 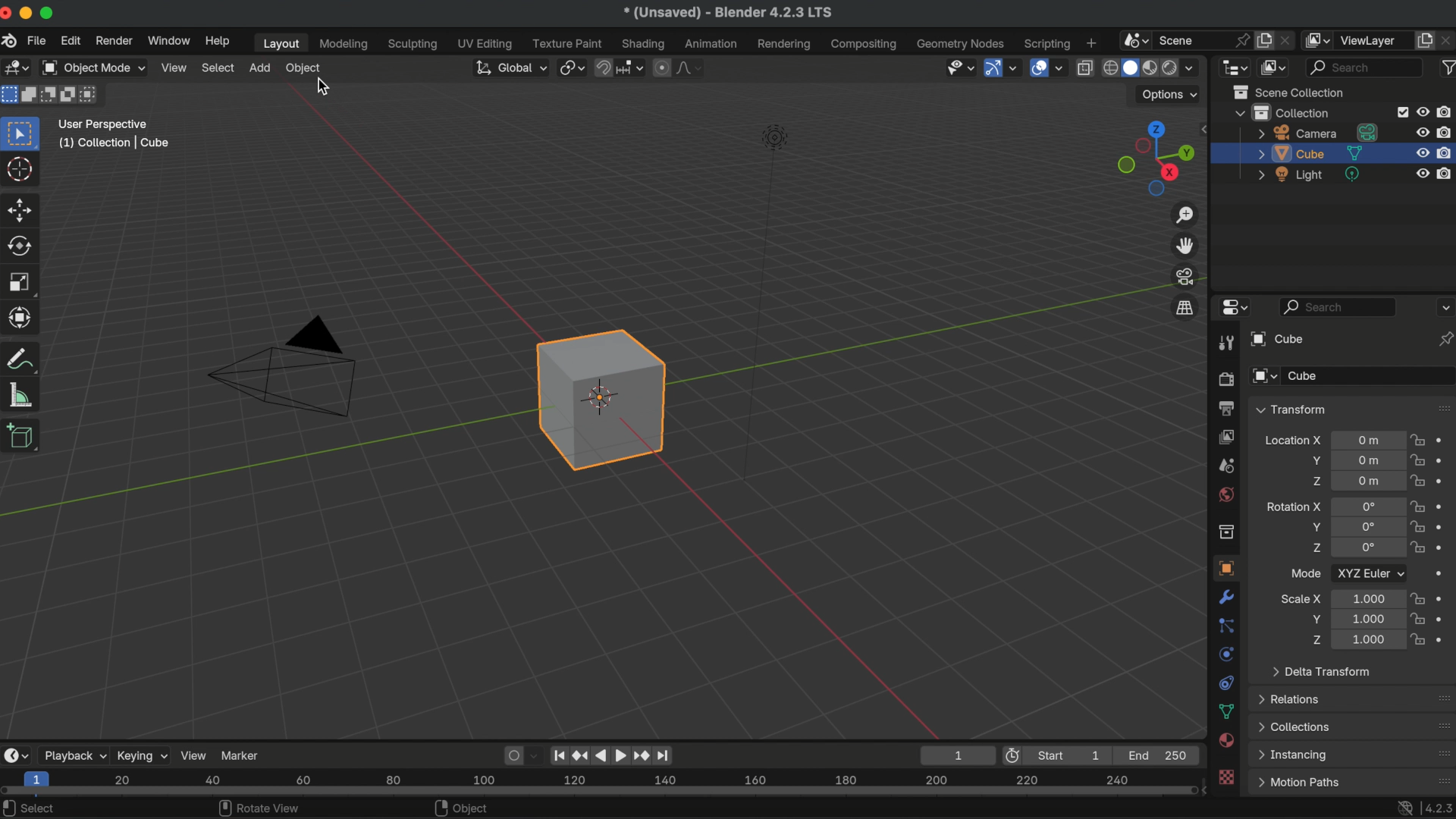 I want to click on new scene, so click(x=1265, y=40).